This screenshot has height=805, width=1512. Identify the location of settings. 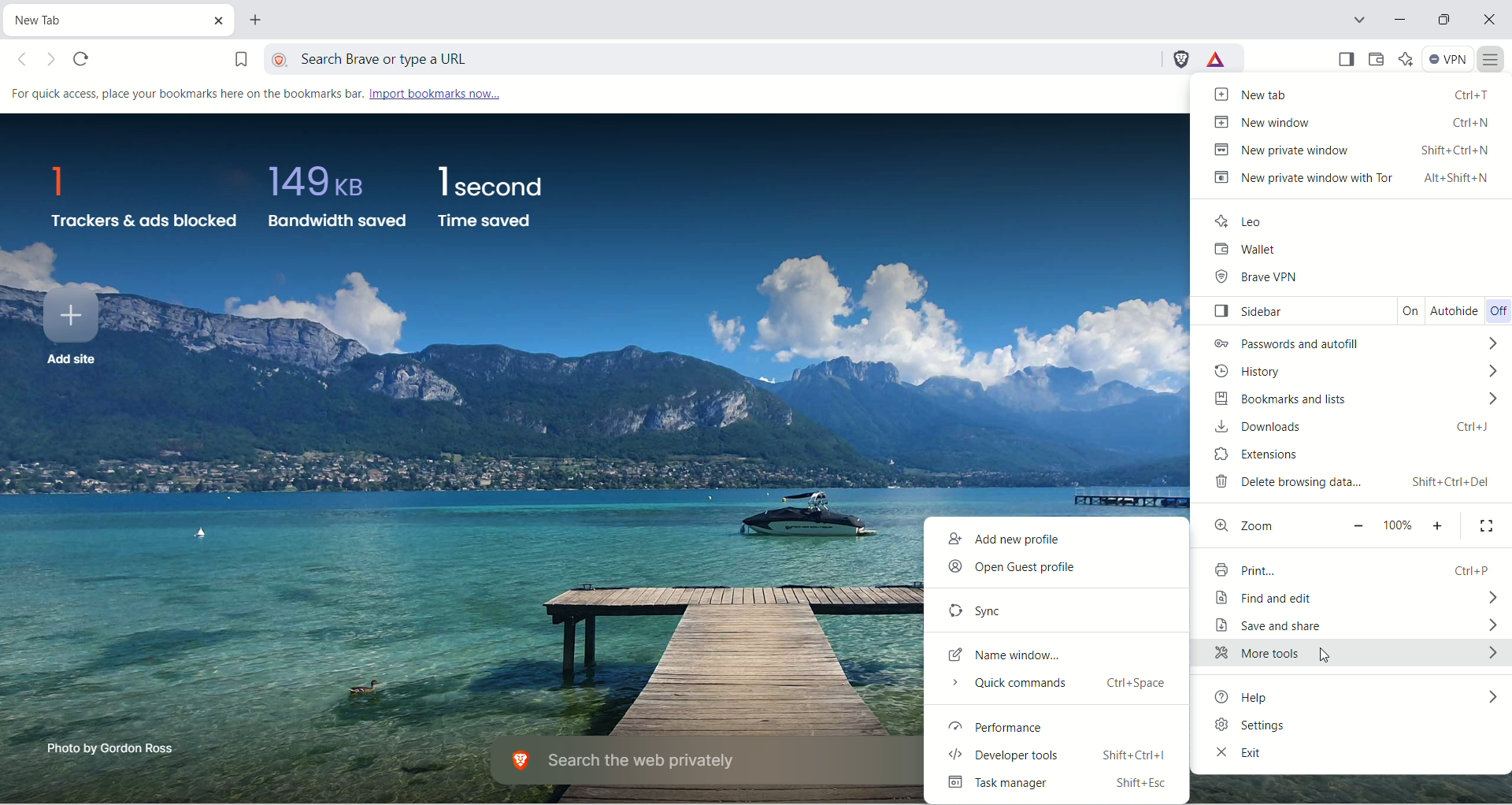
(1352, 728).